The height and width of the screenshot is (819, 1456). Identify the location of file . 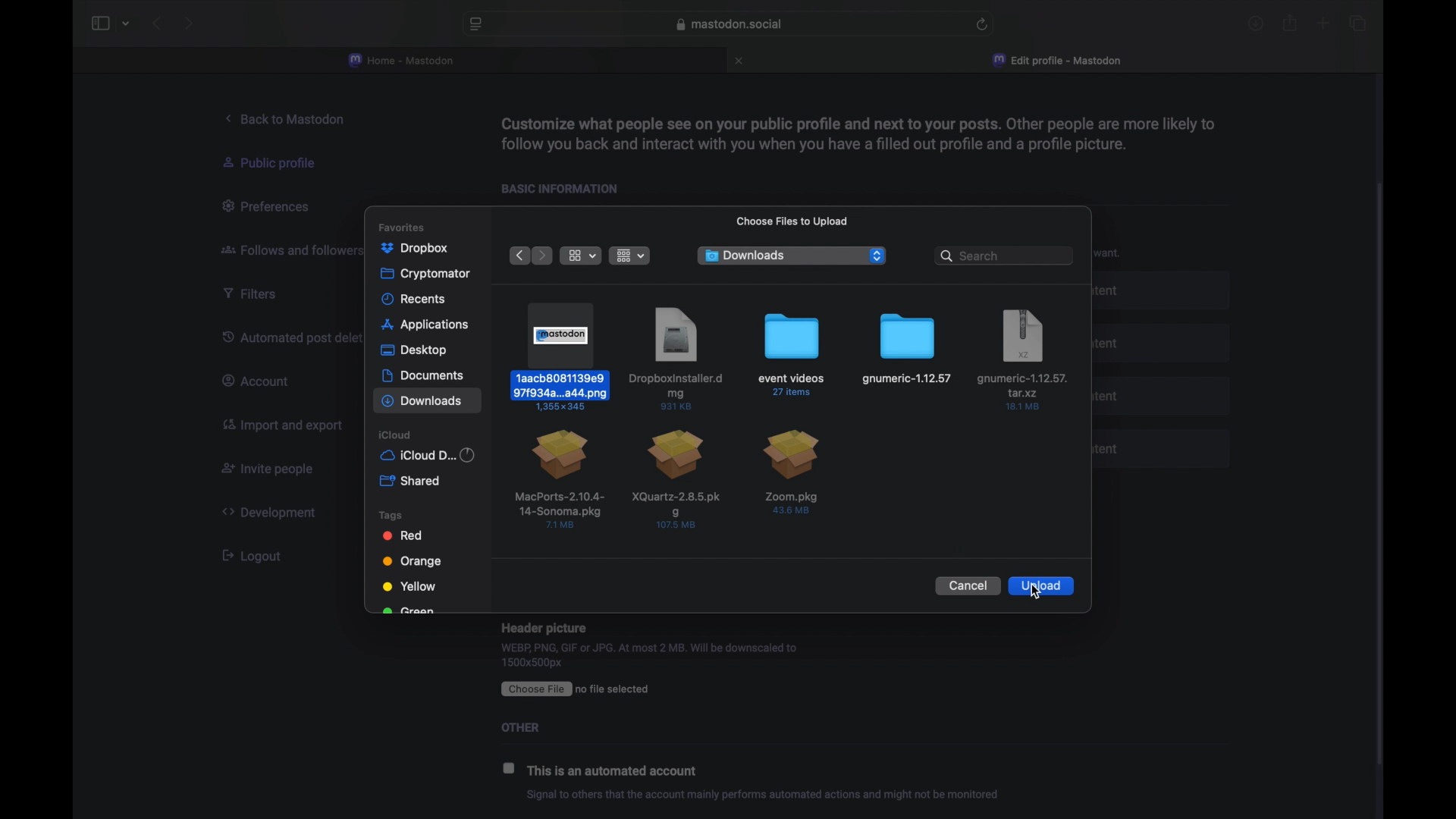
(792, 473).